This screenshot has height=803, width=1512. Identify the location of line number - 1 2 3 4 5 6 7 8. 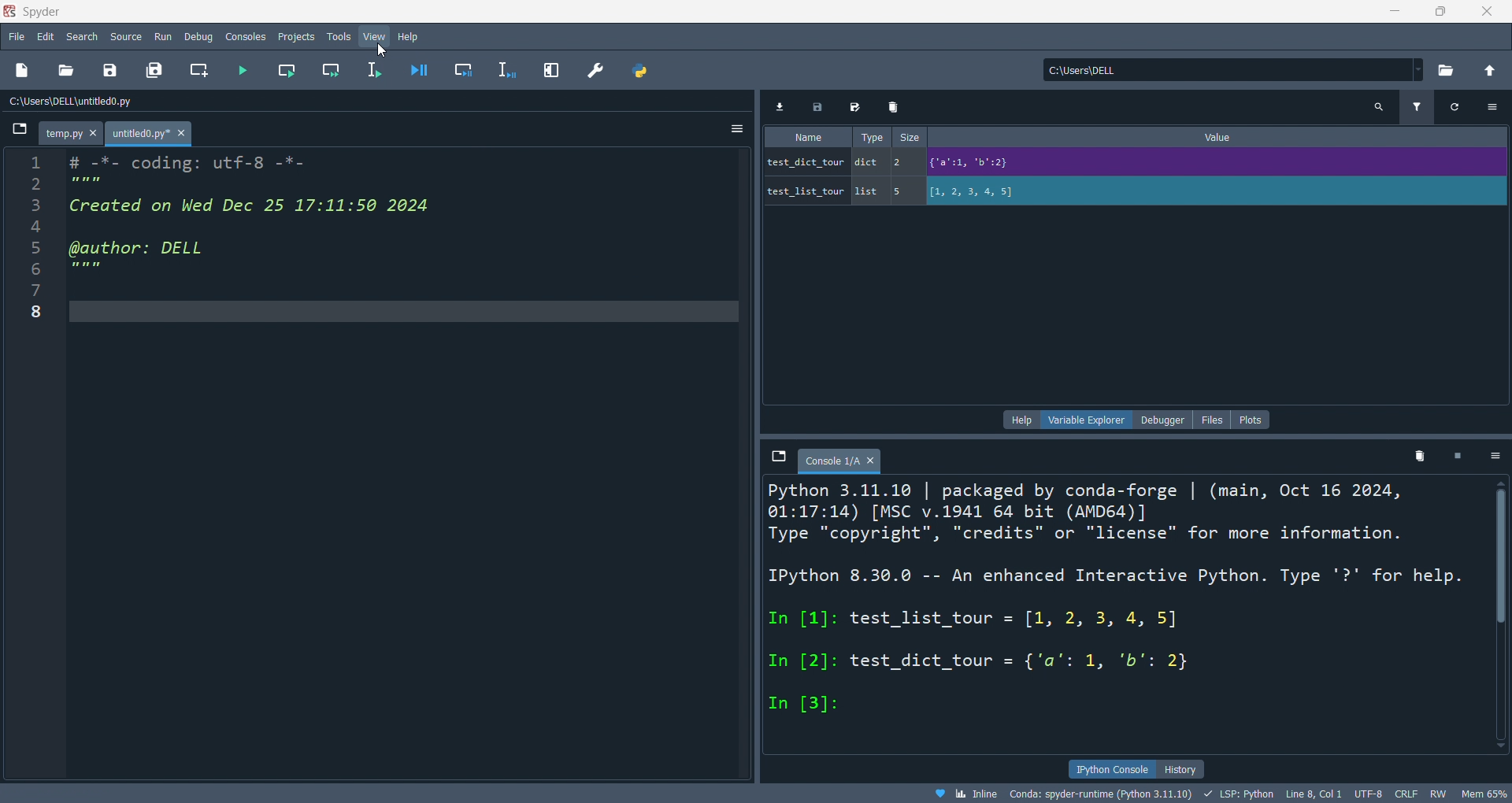
(35, 465).